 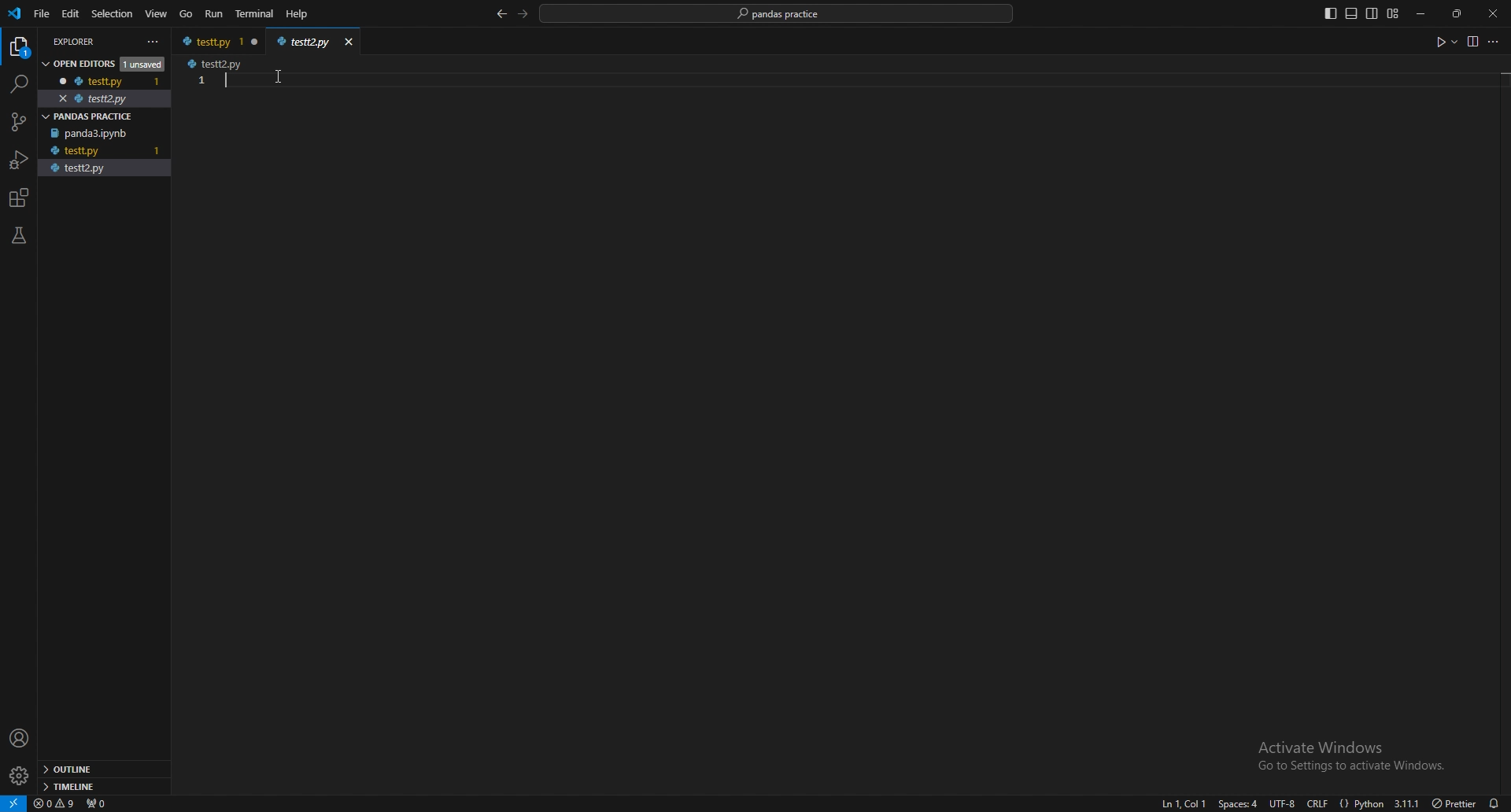 I want to click on go, so click(x=186, y=15).